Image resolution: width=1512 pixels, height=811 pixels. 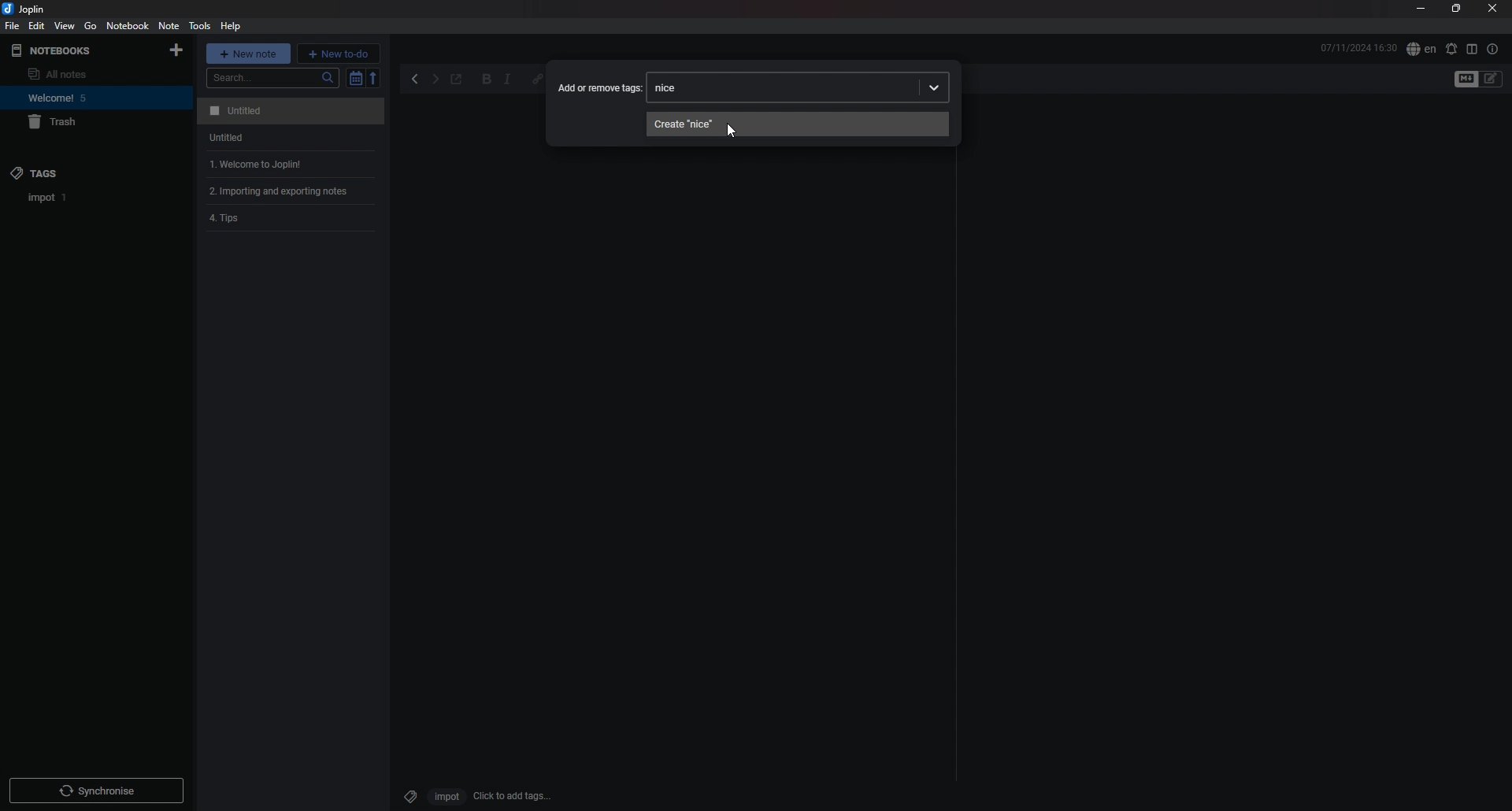 I want to click on Cursor, so click(x=730, y=129).